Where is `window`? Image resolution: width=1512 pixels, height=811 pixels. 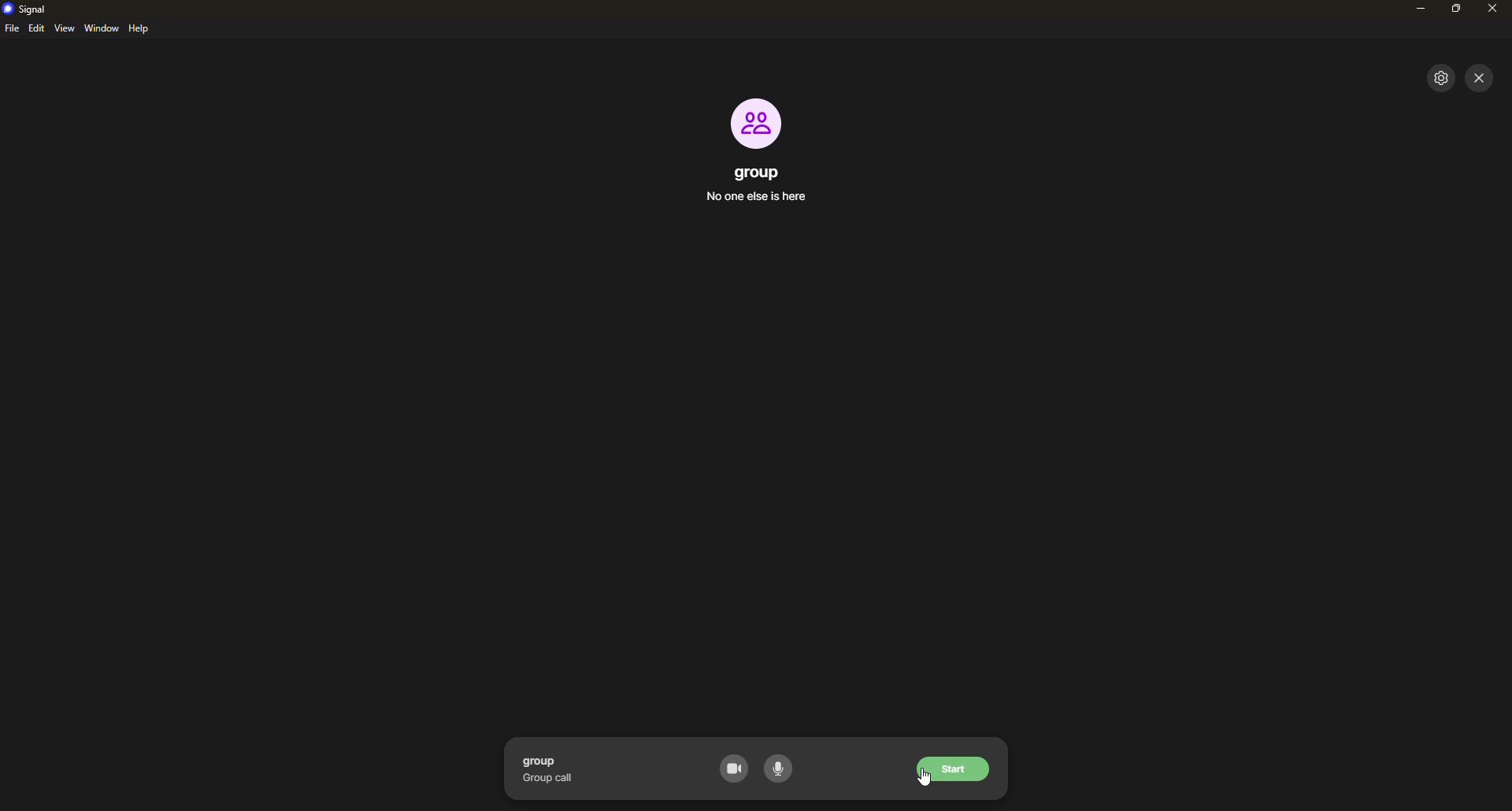 window is located at coordinates (102, 28).